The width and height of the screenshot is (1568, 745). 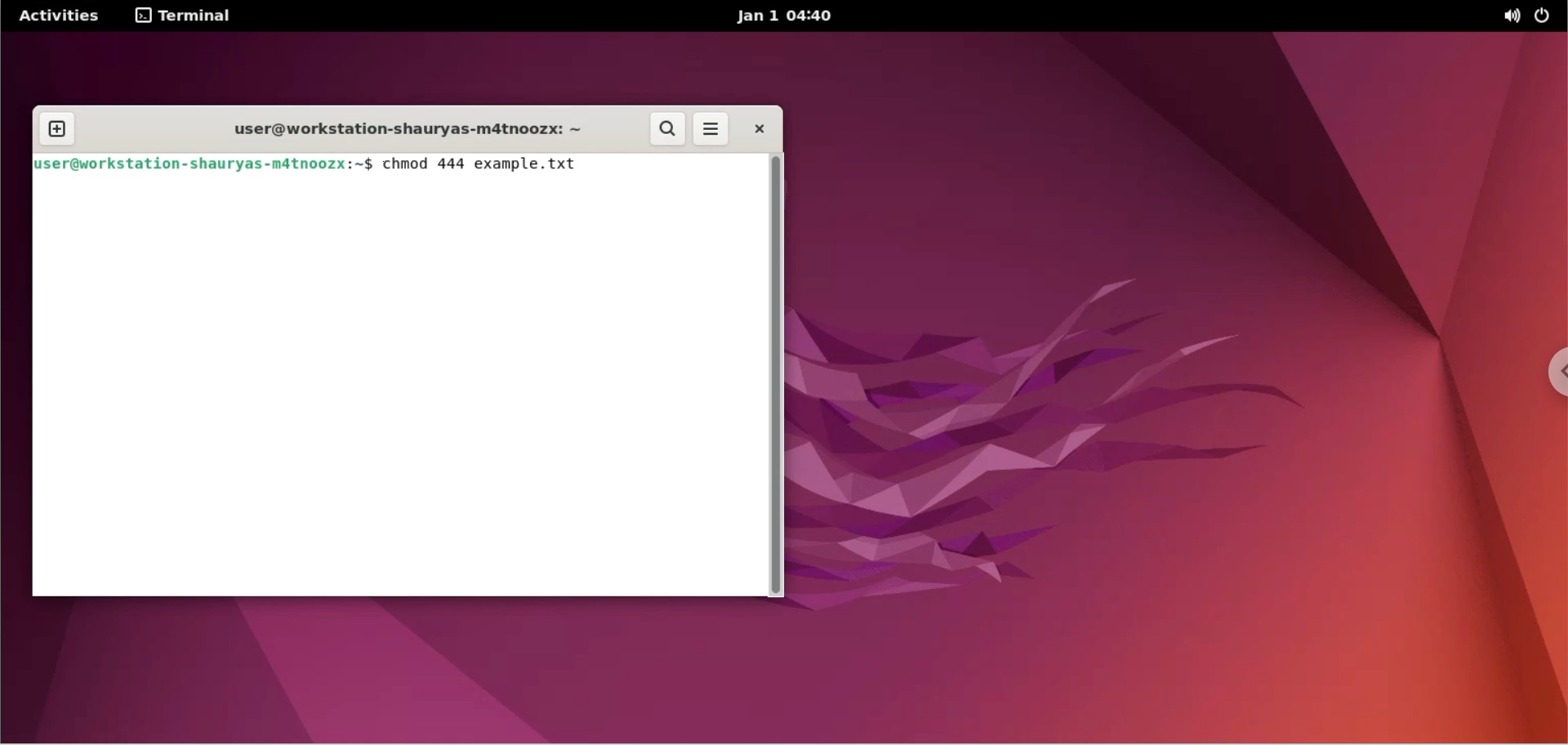 What do you see at coordinates (1547, 16) in the screenshot?
I see `power options` at bounding box center [1547, 16].